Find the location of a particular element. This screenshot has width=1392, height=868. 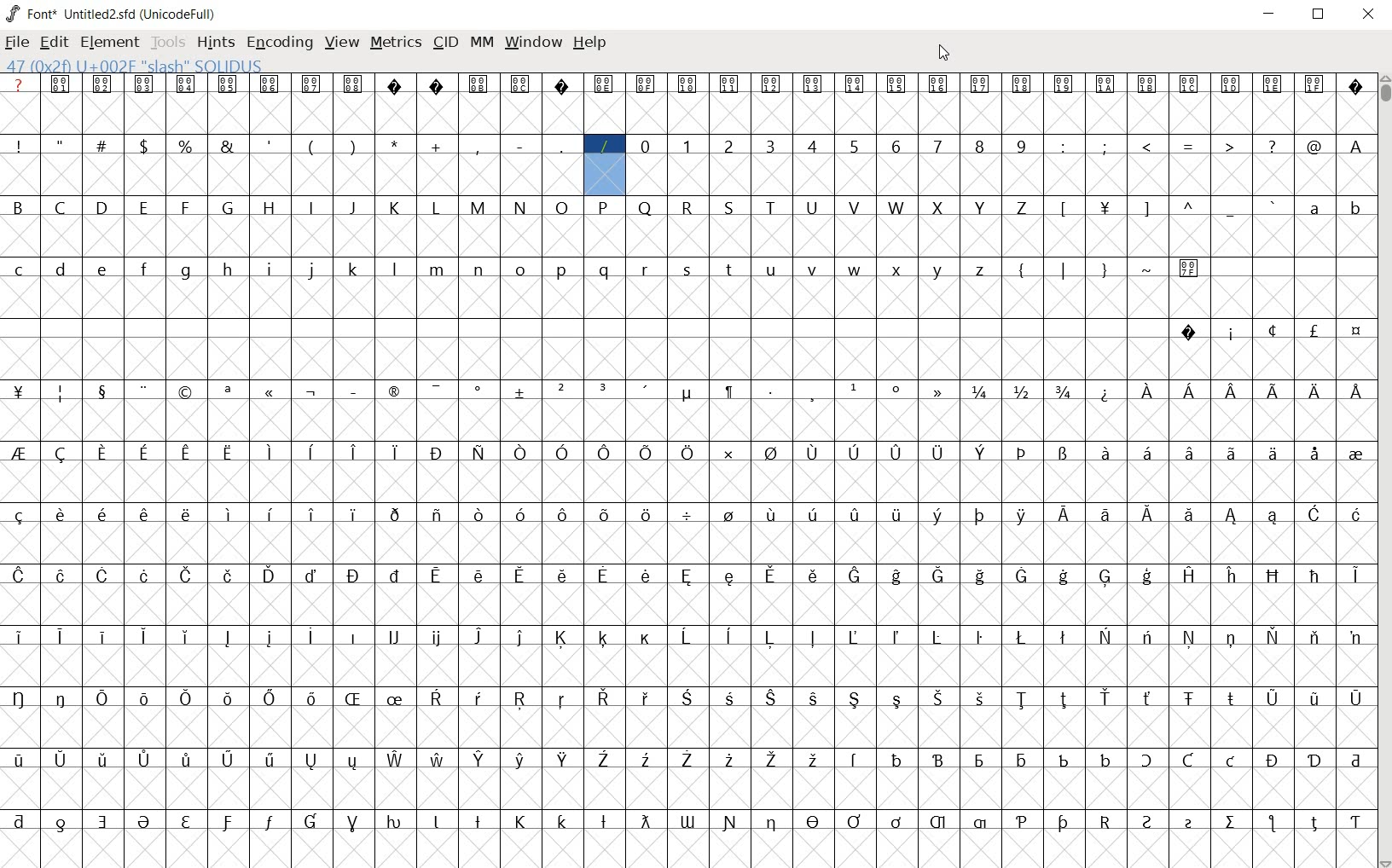

glyph is located at coordinates (1314, 576).